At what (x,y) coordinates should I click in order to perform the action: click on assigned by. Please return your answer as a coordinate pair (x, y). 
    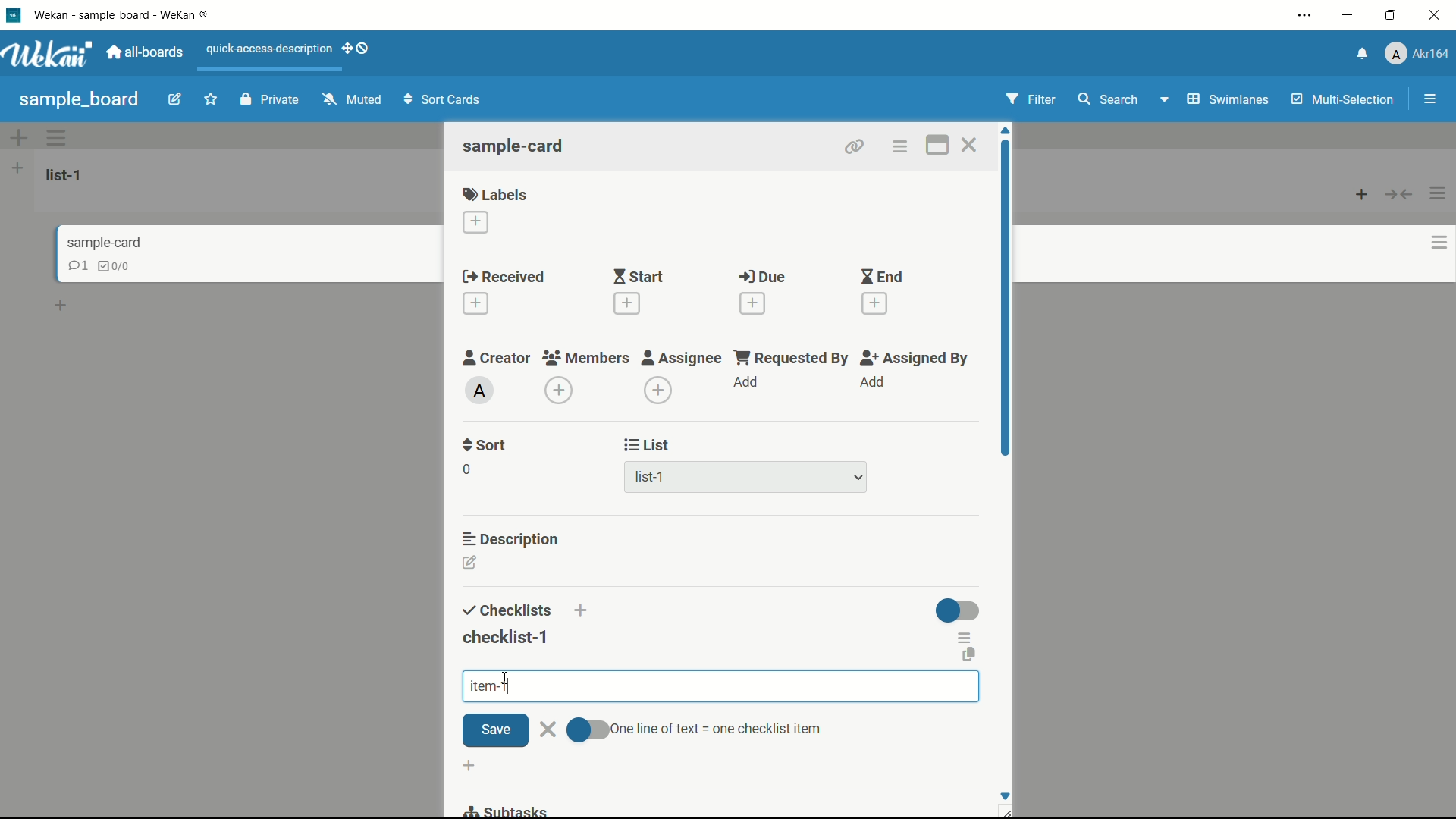
    Looking at the image, I should click on (913, 359).